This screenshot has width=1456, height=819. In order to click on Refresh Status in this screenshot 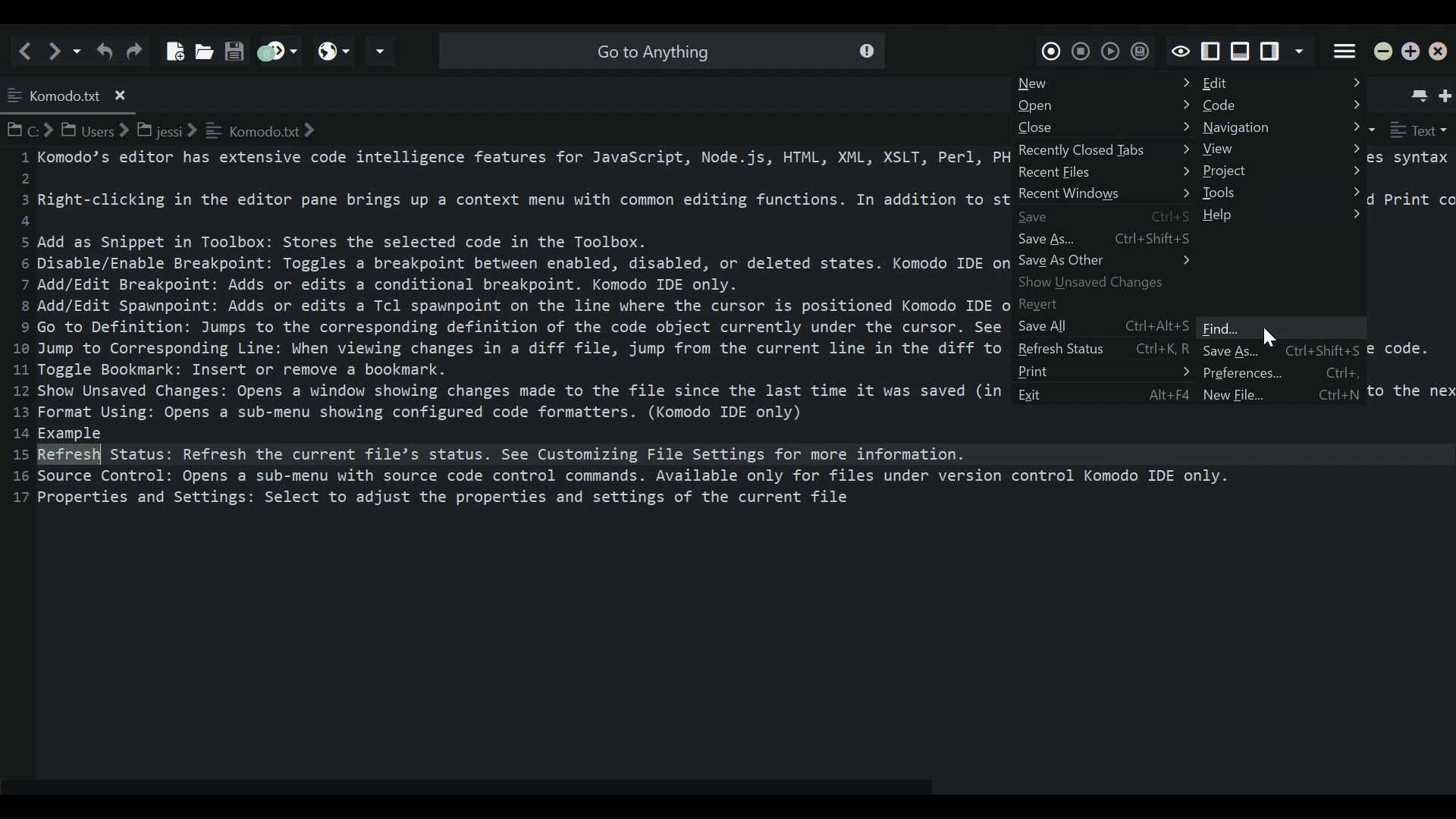, I will do `click(1103, 350)`.